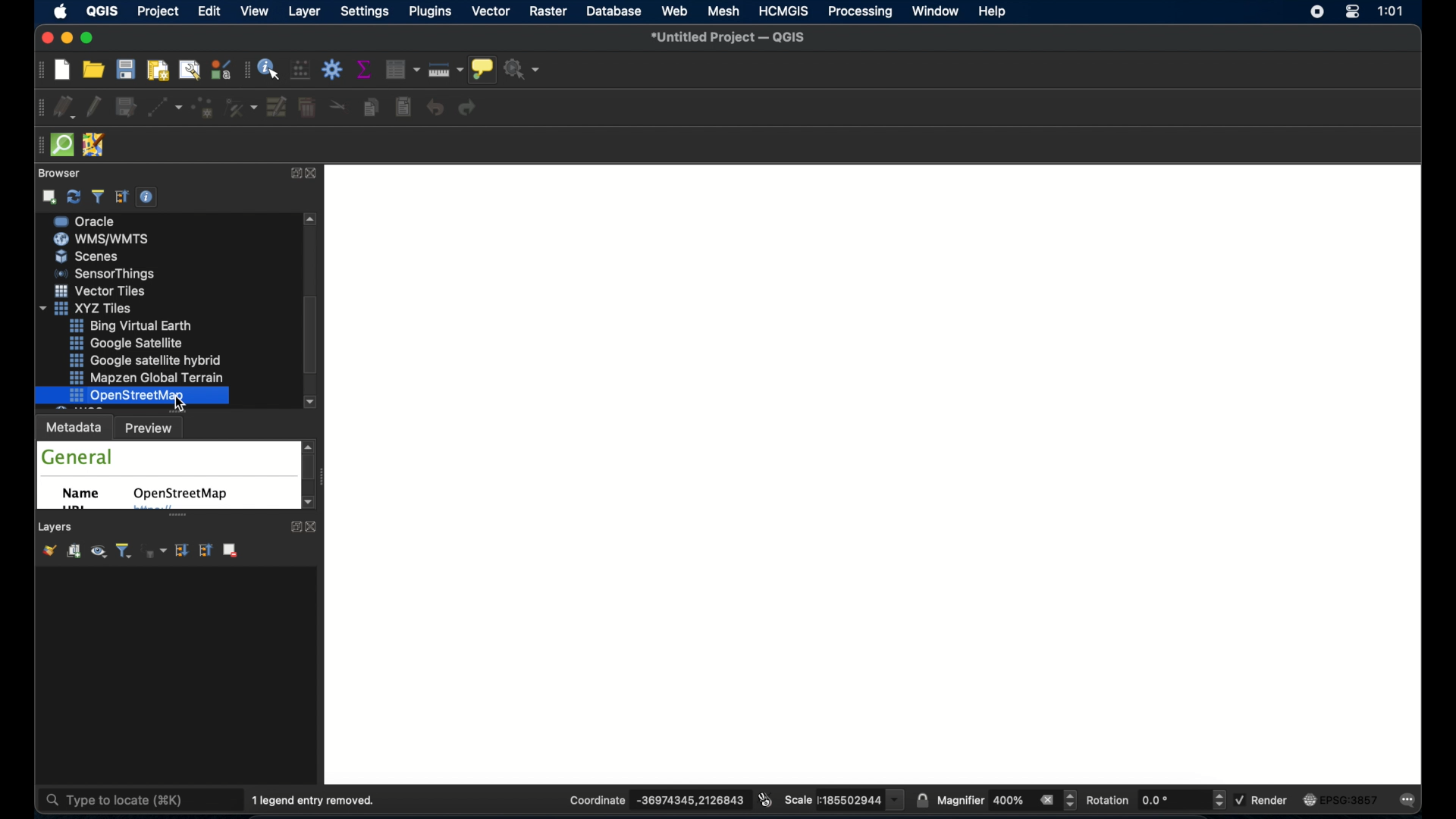 The width and height of the screenshot is (1456, 819). Describe the element at coordinates (124, 551) in the screenshot. I see `filter legend` at that location.